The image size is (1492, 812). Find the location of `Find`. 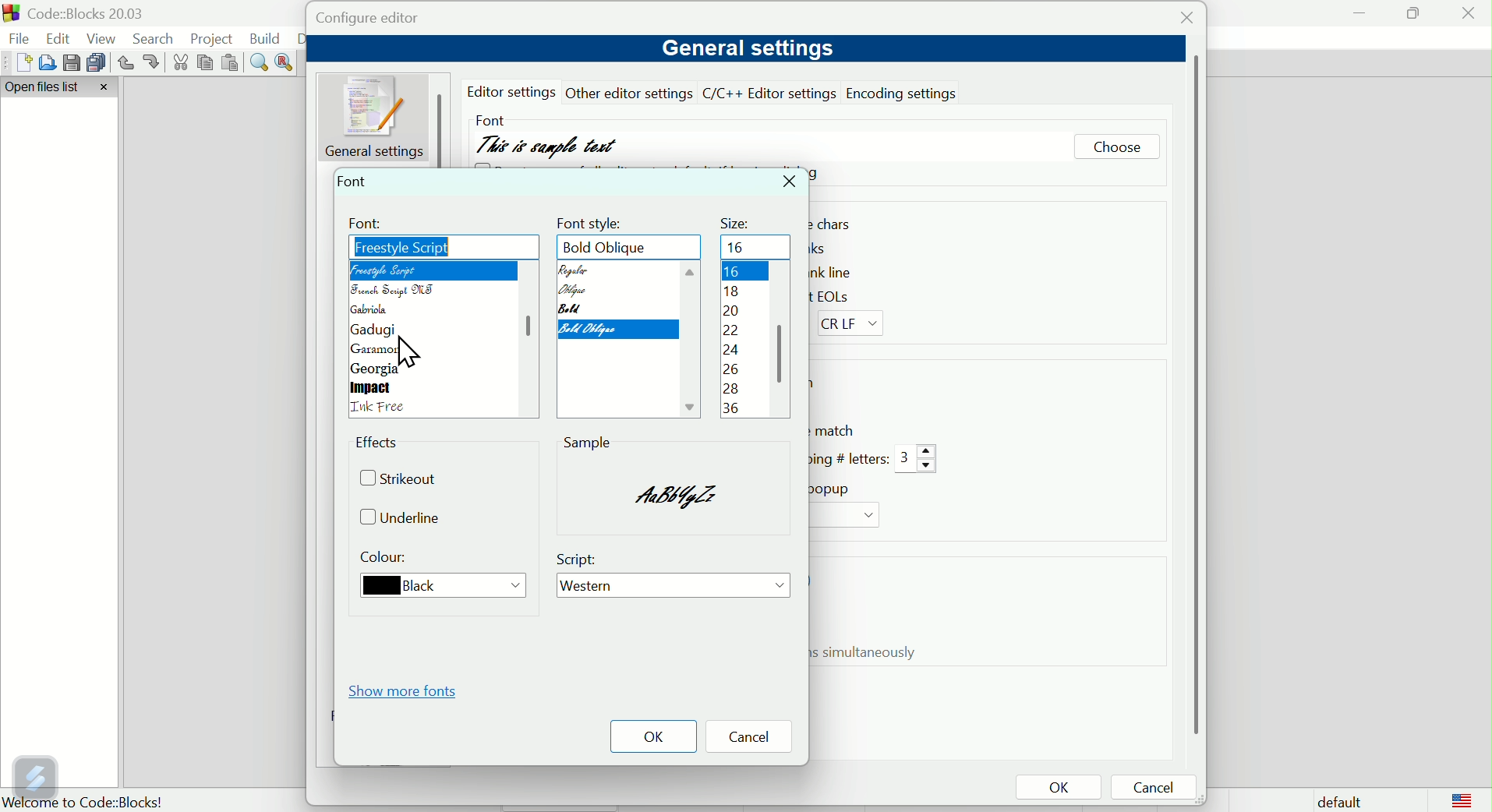

Find is located at coordinates (260, 63).